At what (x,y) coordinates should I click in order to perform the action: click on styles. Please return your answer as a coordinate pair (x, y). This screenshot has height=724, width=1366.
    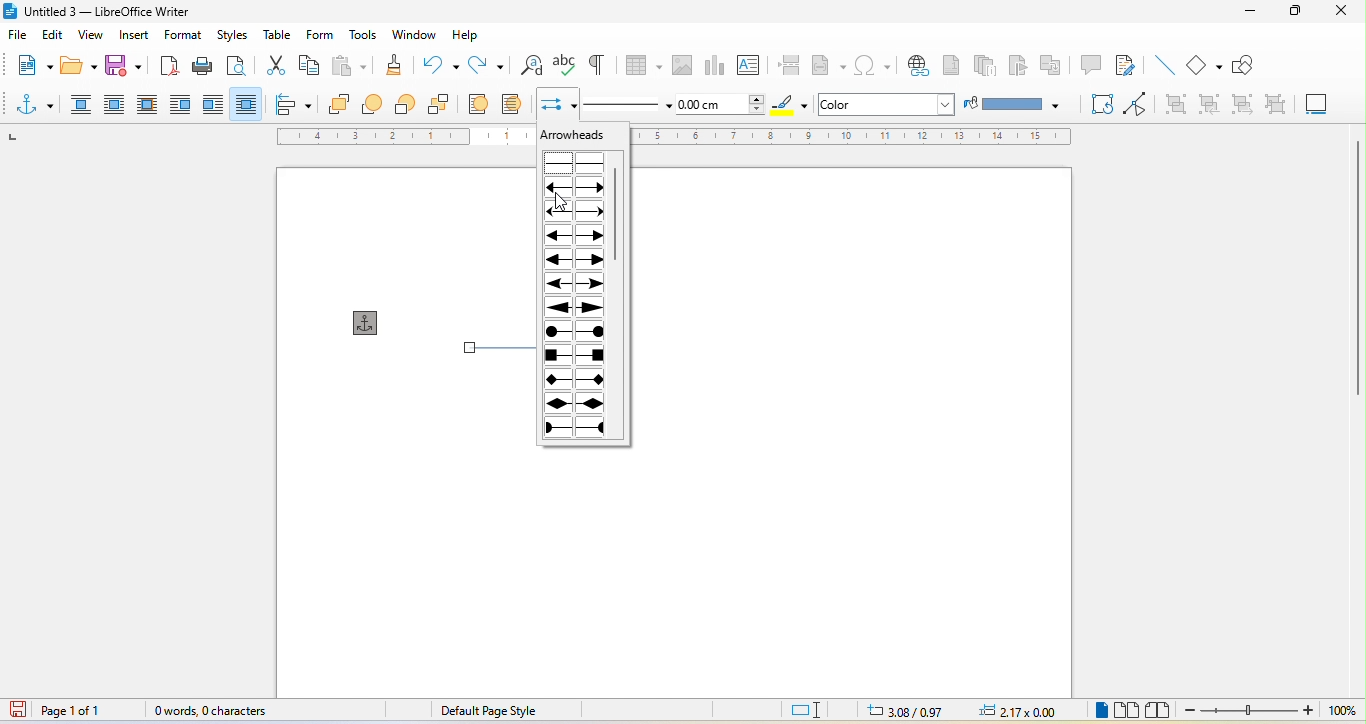
    Looking at the image, I should click on (231, 36).